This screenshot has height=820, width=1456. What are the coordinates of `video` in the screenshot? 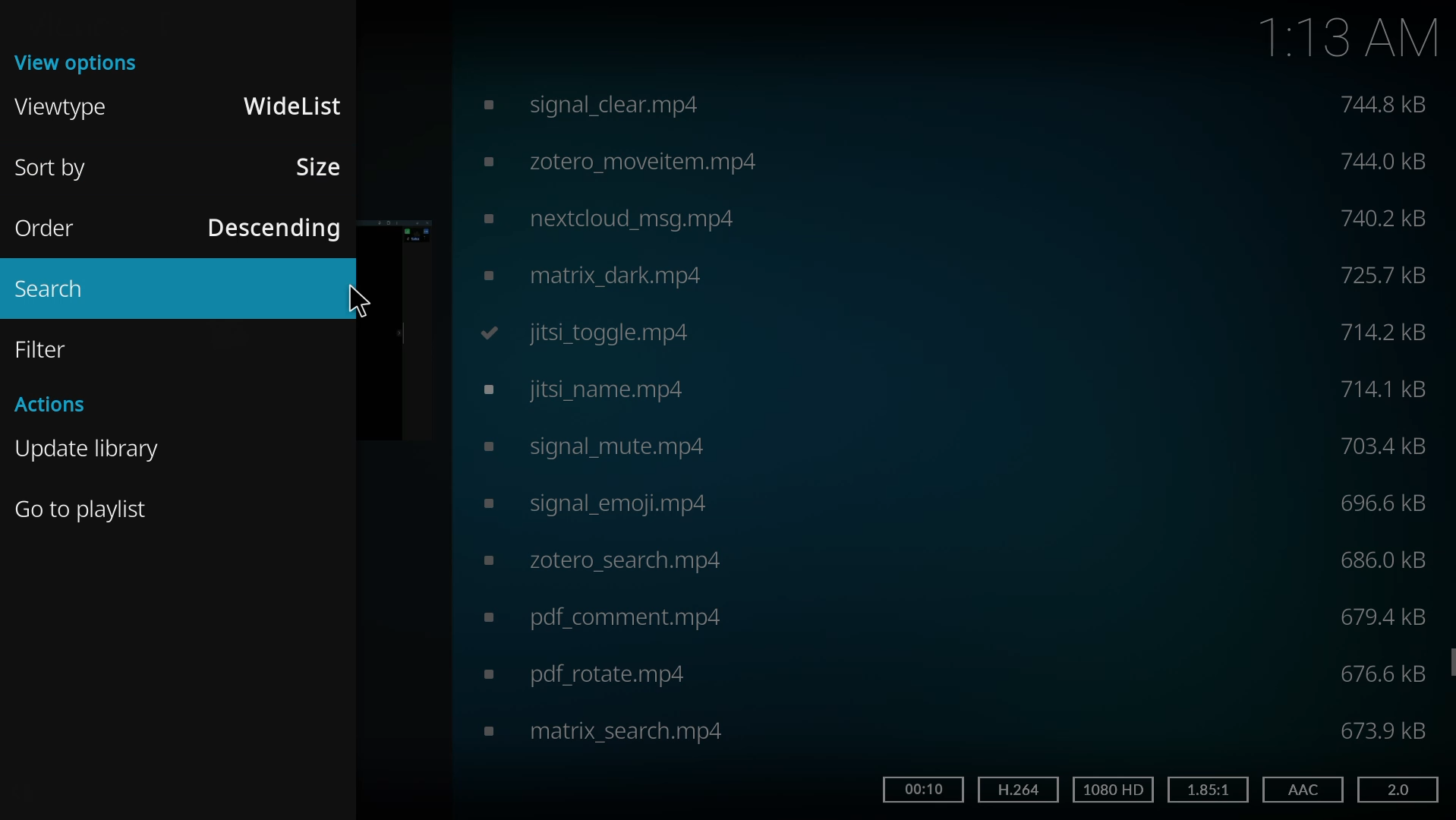 It's located at (588, 561).